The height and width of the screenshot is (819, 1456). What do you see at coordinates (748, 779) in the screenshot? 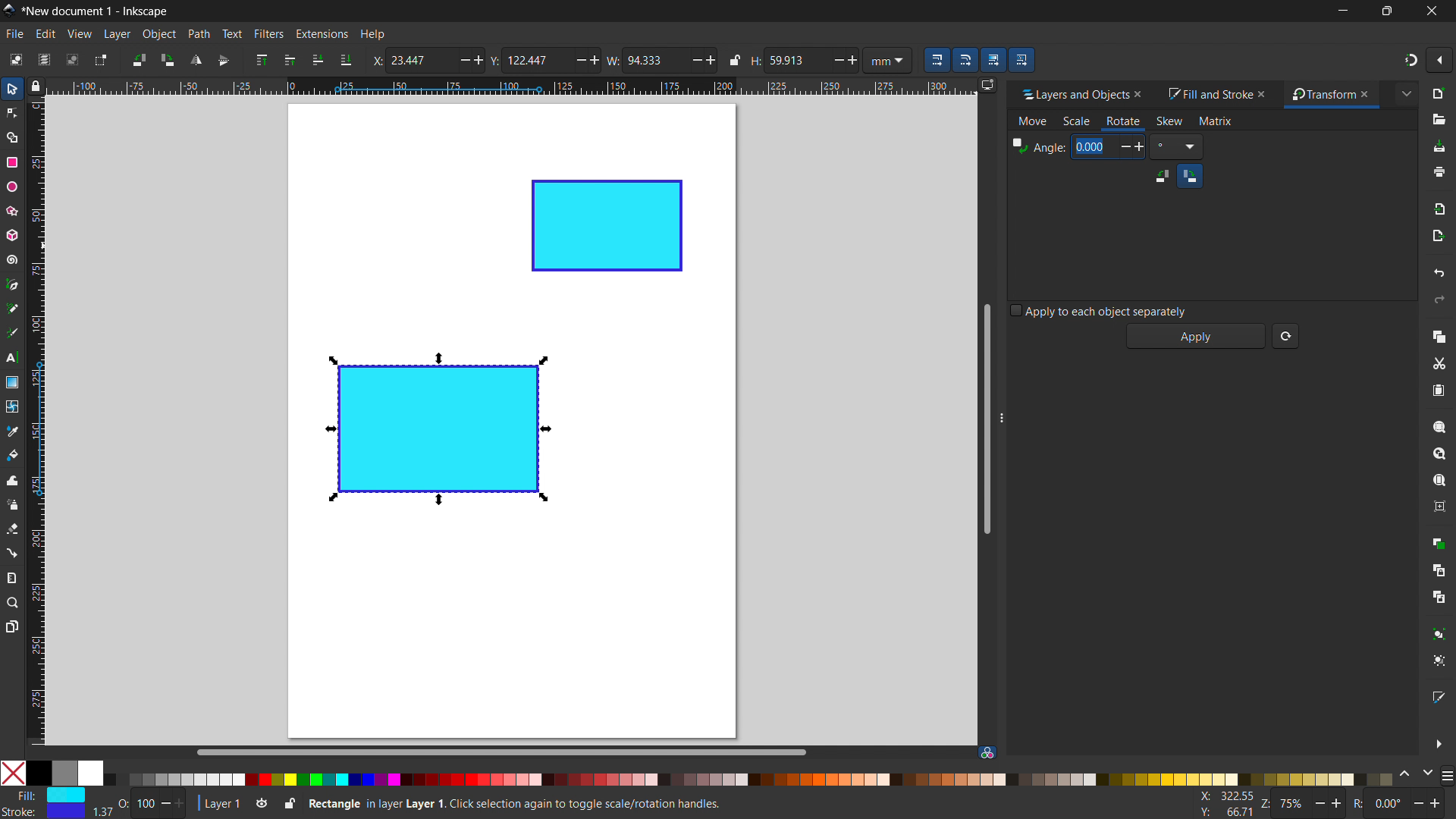
I see `color palletes` at bounding box center [748, 779].